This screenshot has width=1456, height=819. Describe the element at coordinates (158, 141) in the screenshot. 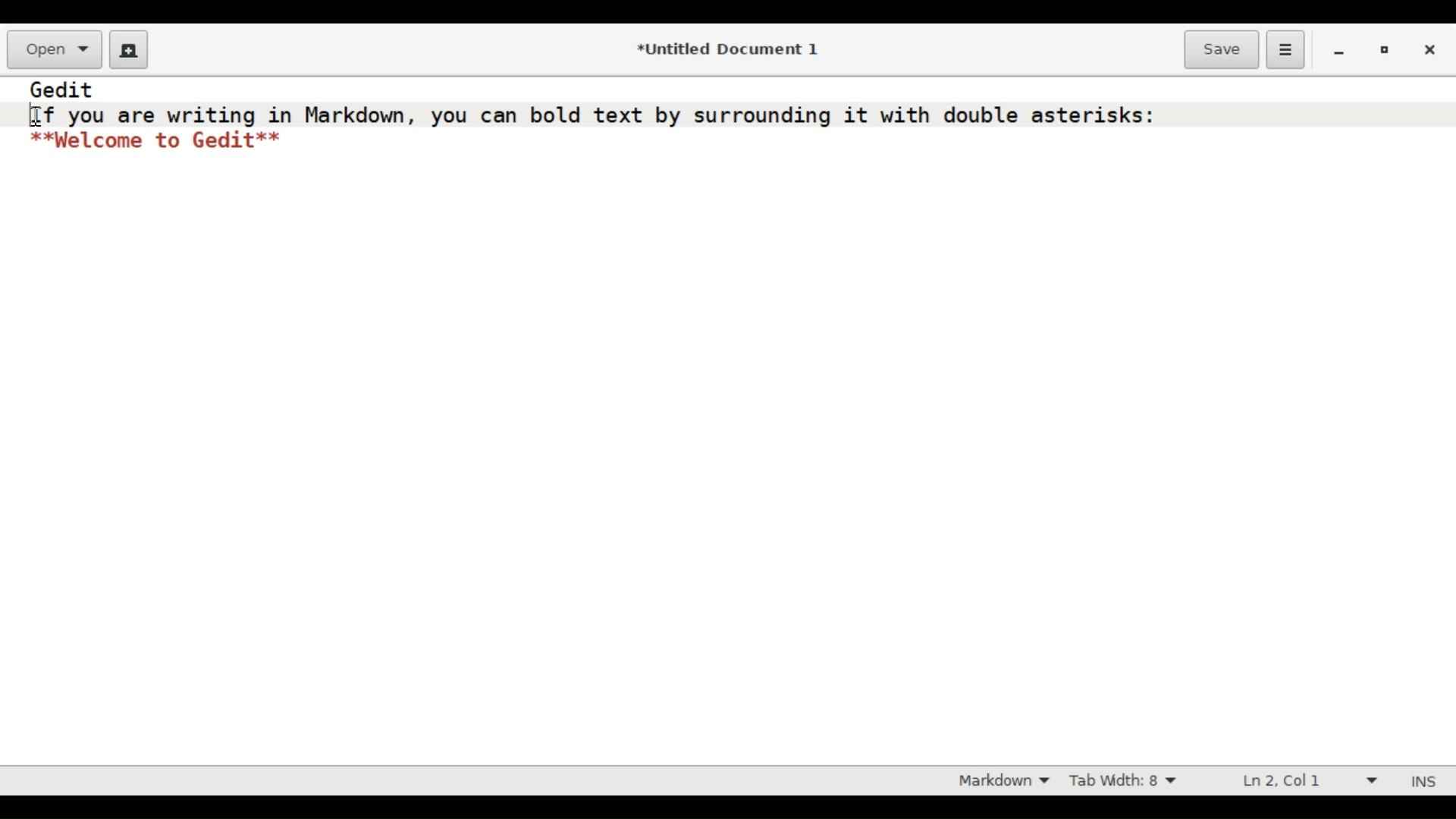

I see `**Welcome to Gedit**` at that location.